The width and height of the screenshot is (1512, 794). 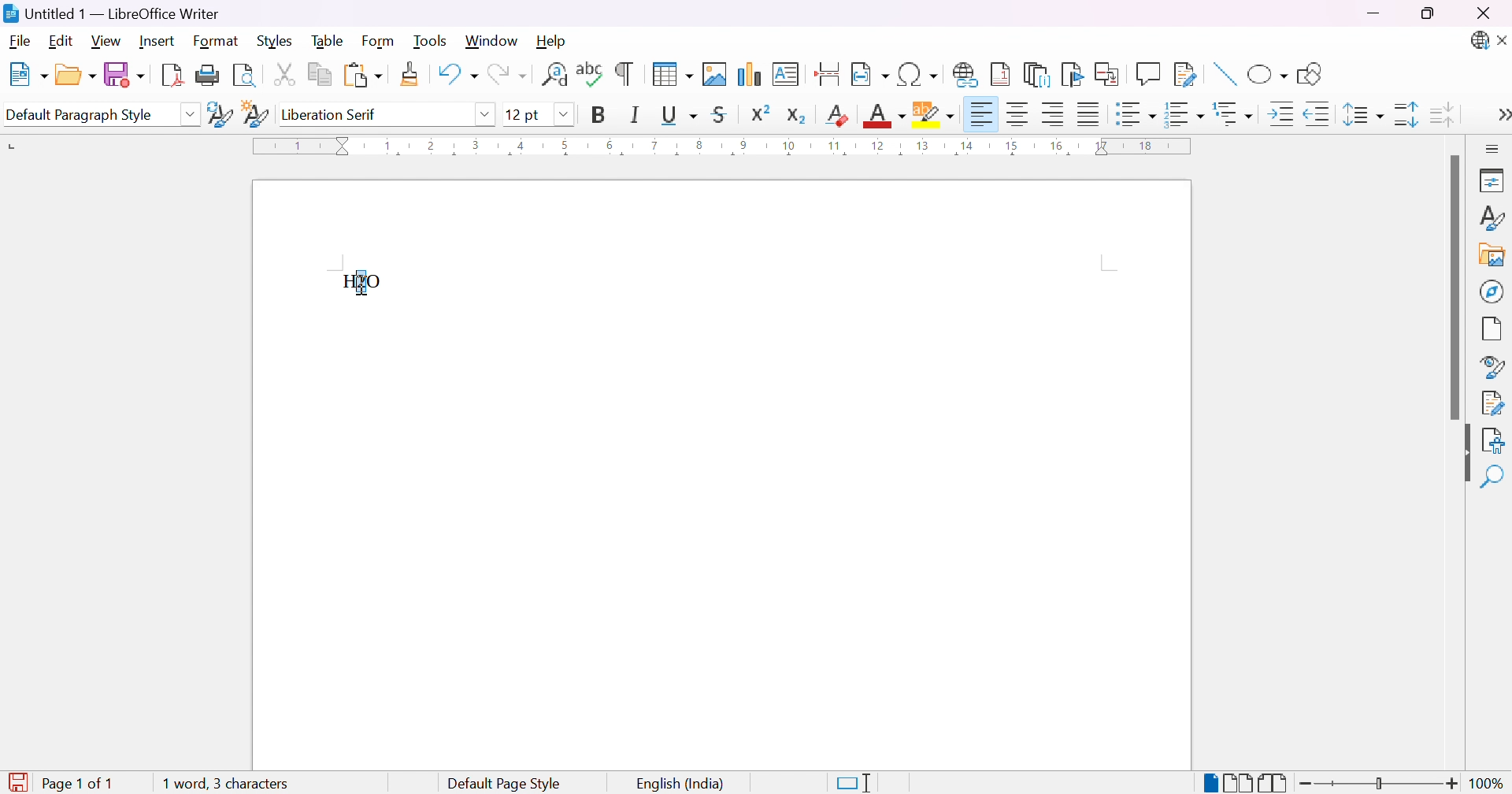 I want to click on English (India), so click(x=681, y=785).